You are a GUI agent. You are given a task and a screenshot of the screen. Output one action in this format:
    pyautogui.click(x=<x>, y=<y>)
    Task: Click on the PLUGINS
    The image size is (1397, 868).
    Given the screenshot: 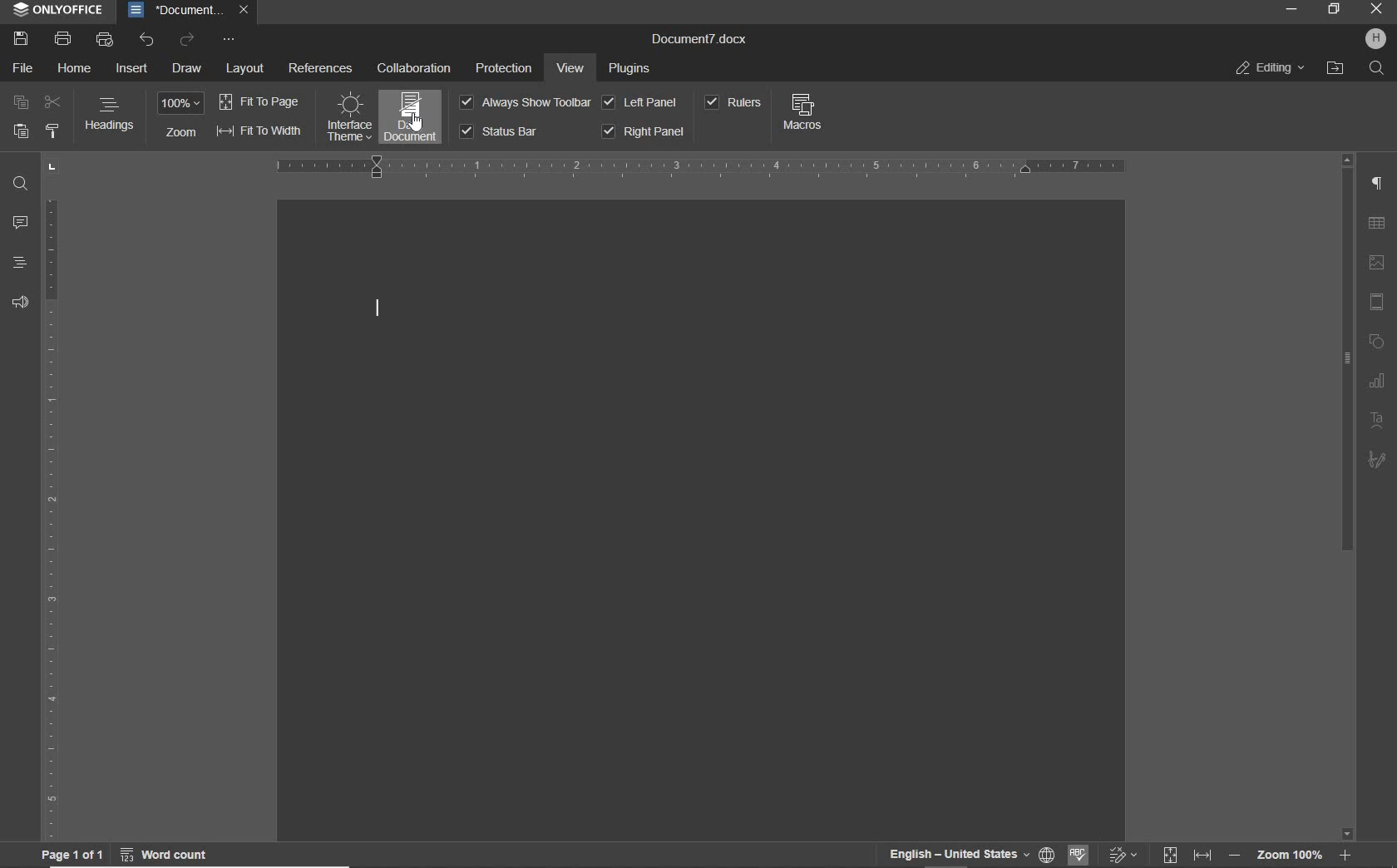 What is the action you would take?
    pyautogui.click(x=635, y=71)
    